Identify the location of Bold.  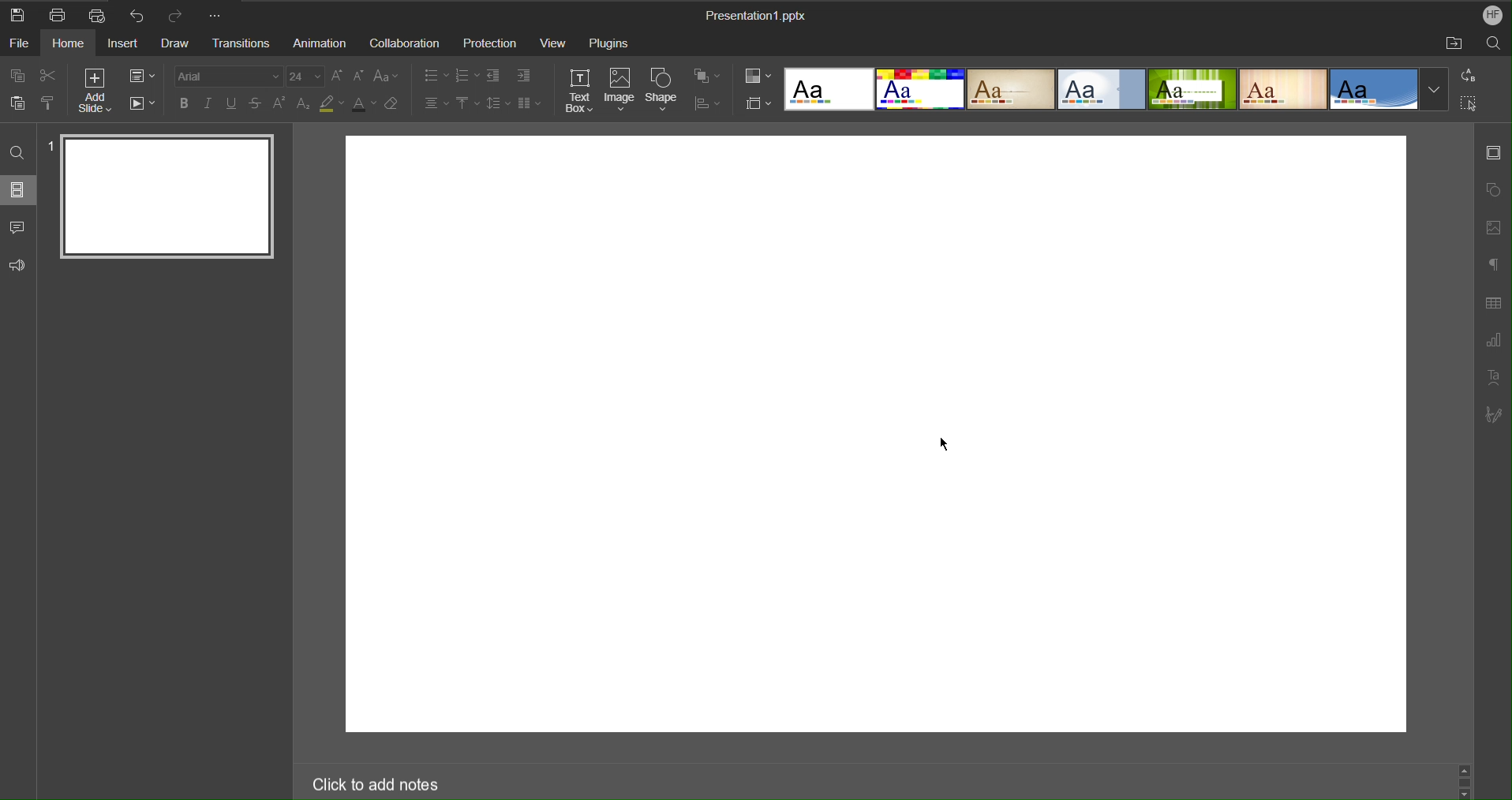
(185, 104).